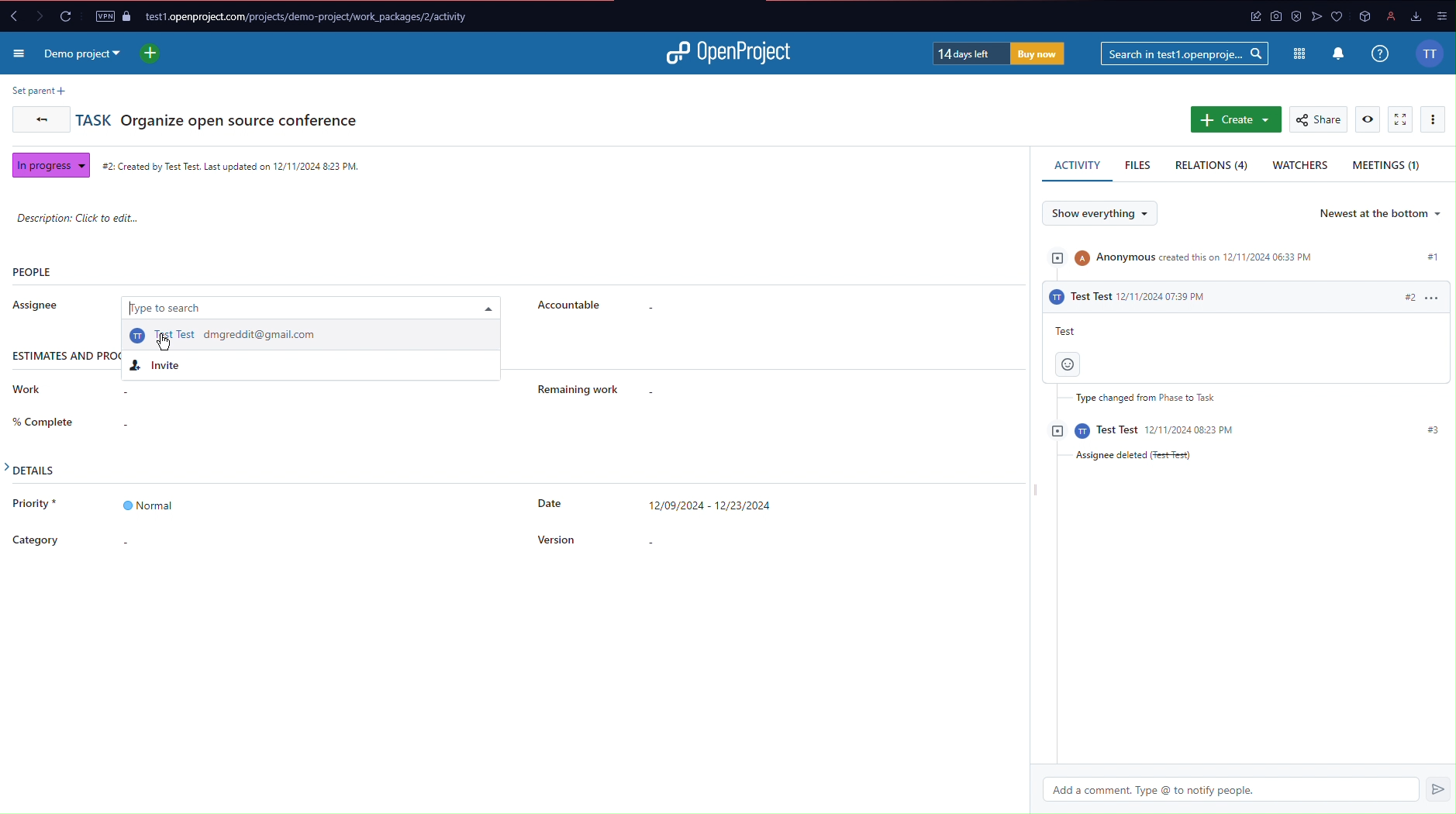 Image resolution: width=1456 pixels, height=814 pixels. Describe the element at coordinates (38, 90) in the screenshot. I see `Set parent` at that location.